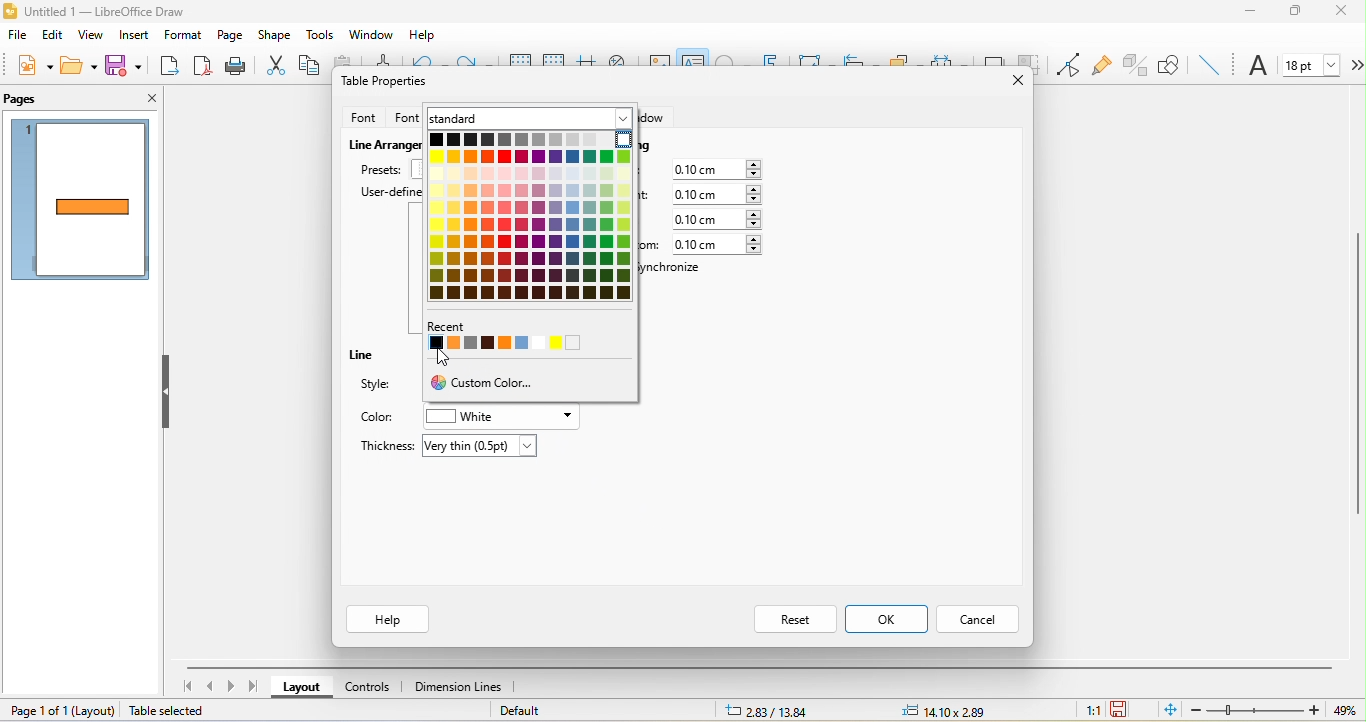 The width and height of the screenshot is (1366, 722). Describe the element at coordinates (371, 685) in the screenshot. I see `controls` at that location.